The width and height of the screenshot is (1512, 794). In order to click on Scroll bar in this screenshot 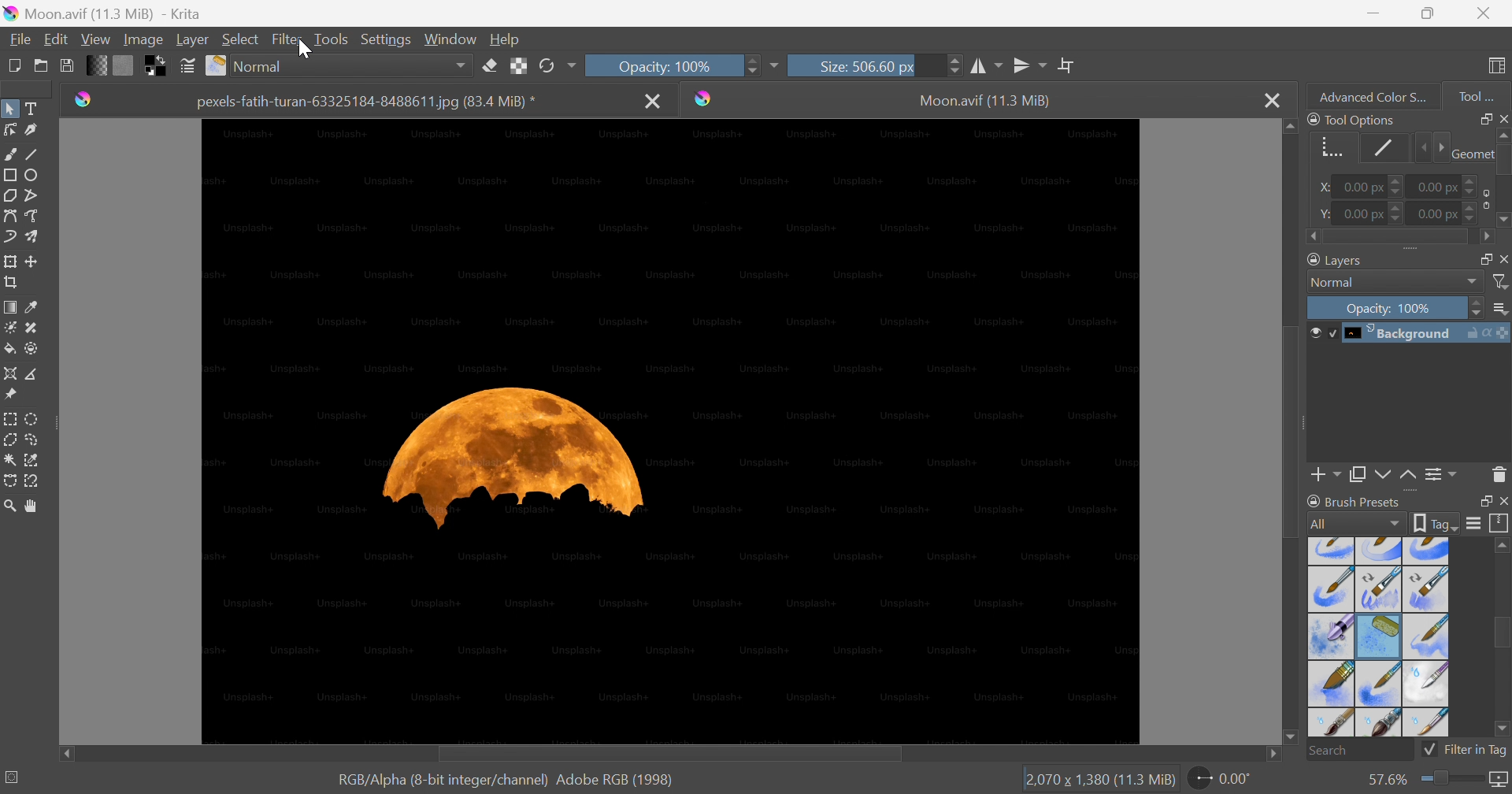, I will do `click(1293, 431)`.